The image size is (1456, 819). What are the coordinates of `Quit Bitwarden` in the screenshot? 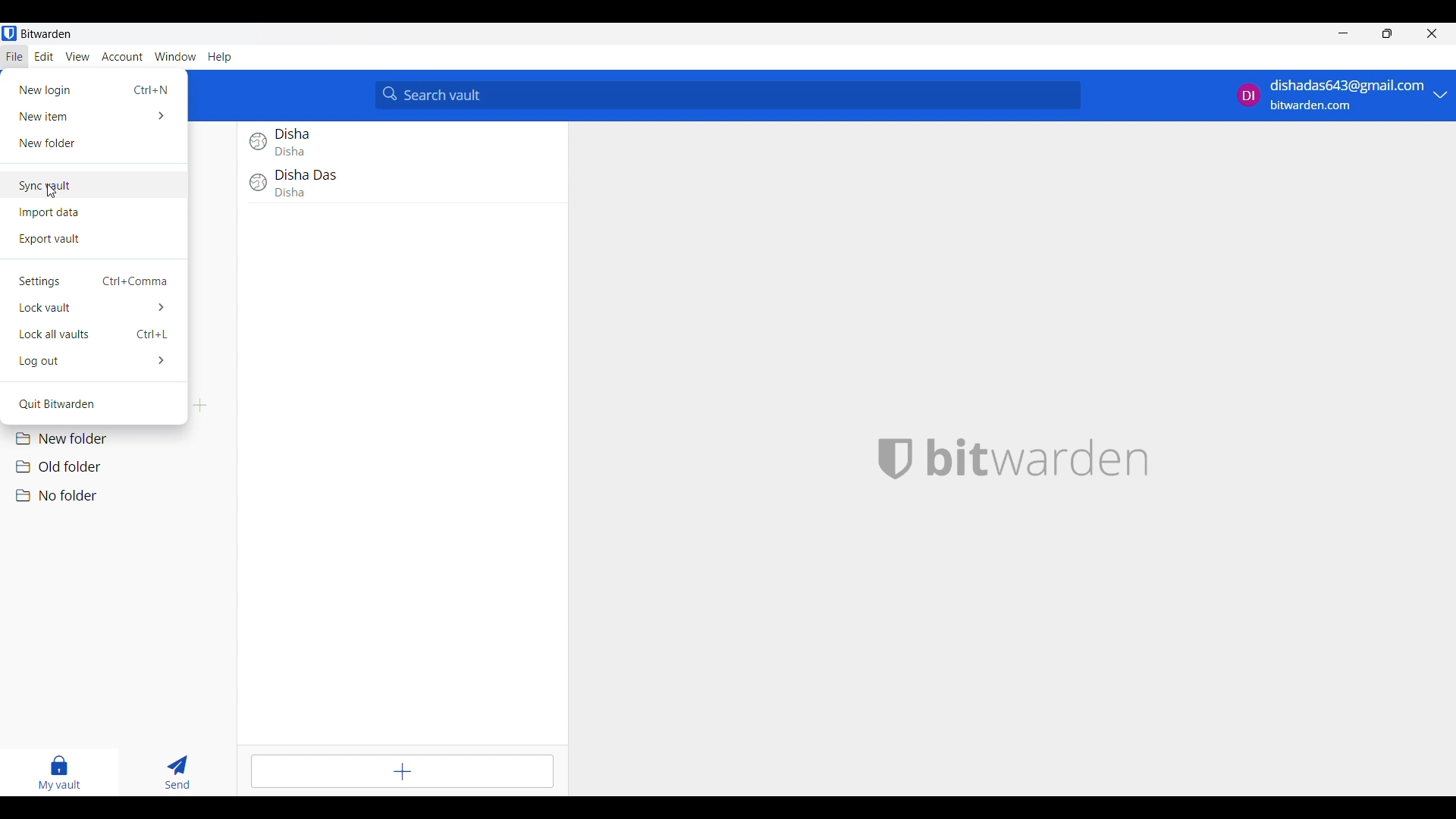 It's located at (93, 405).